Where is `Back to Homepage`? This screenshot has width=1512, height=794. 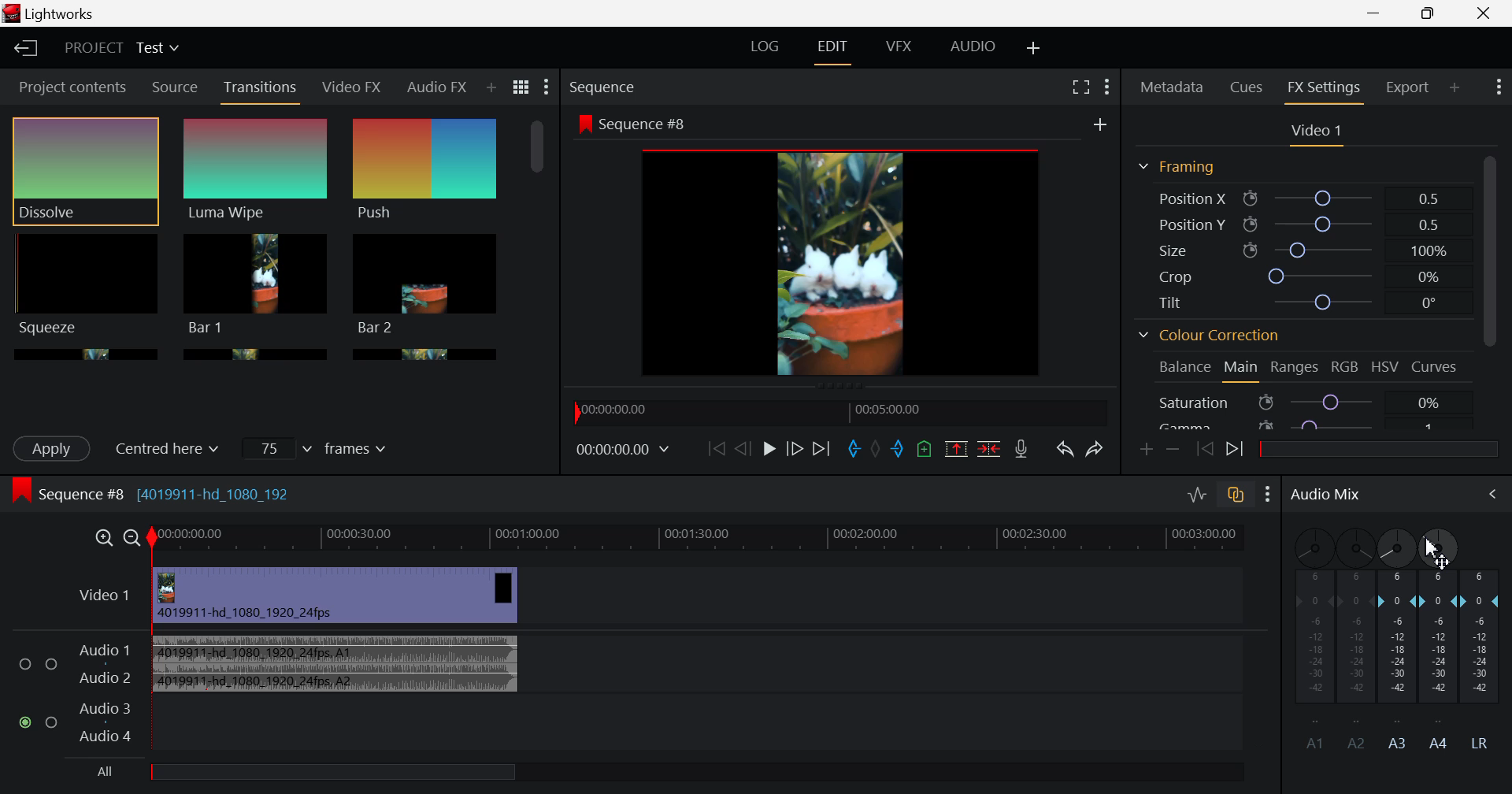
Back to Homepage is located at coordinates (23, 46).